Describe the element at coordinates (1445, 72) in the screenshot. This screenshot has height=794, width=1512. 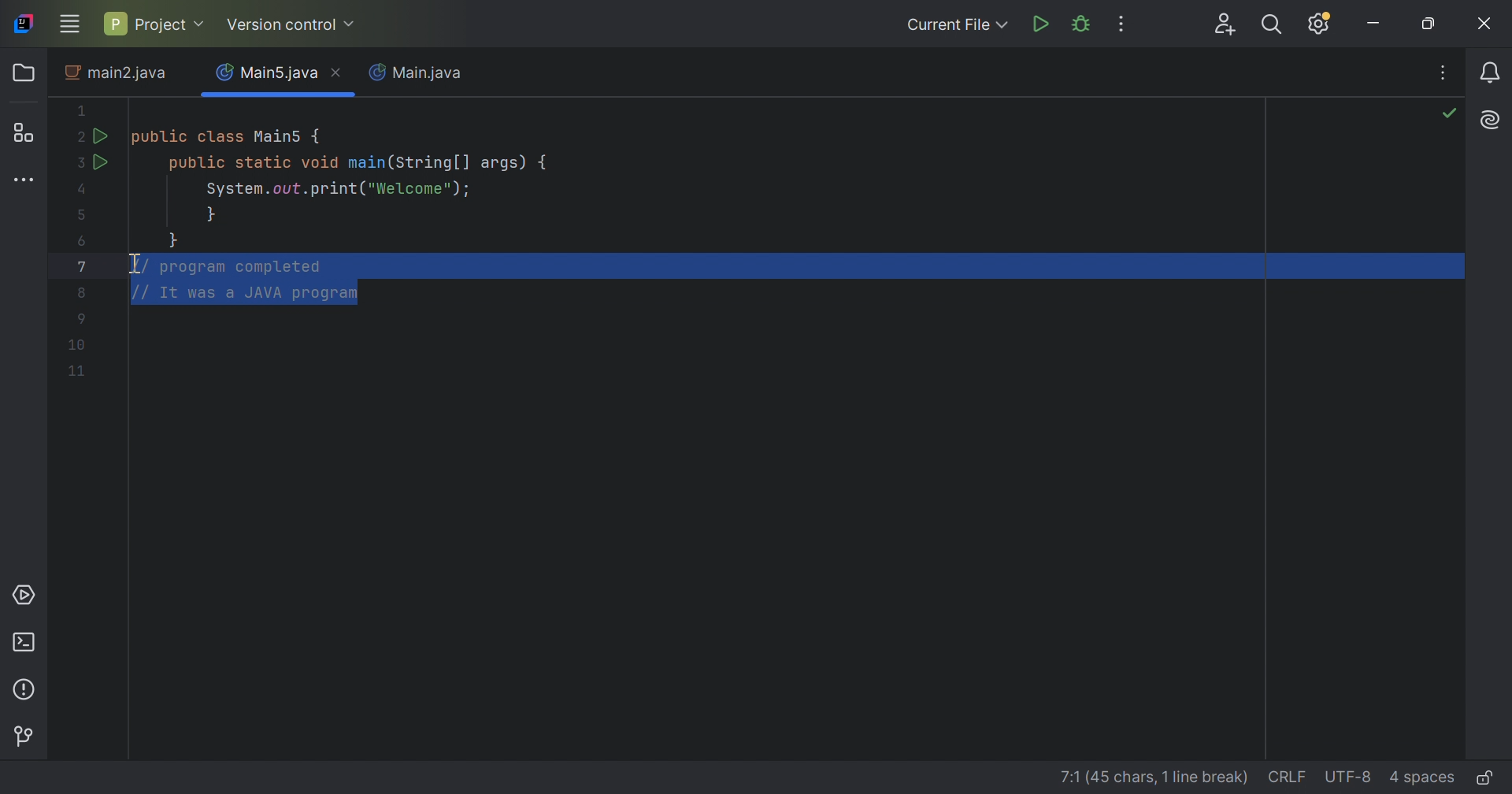
I see `Recent Files, tab actions, and more` at that location.